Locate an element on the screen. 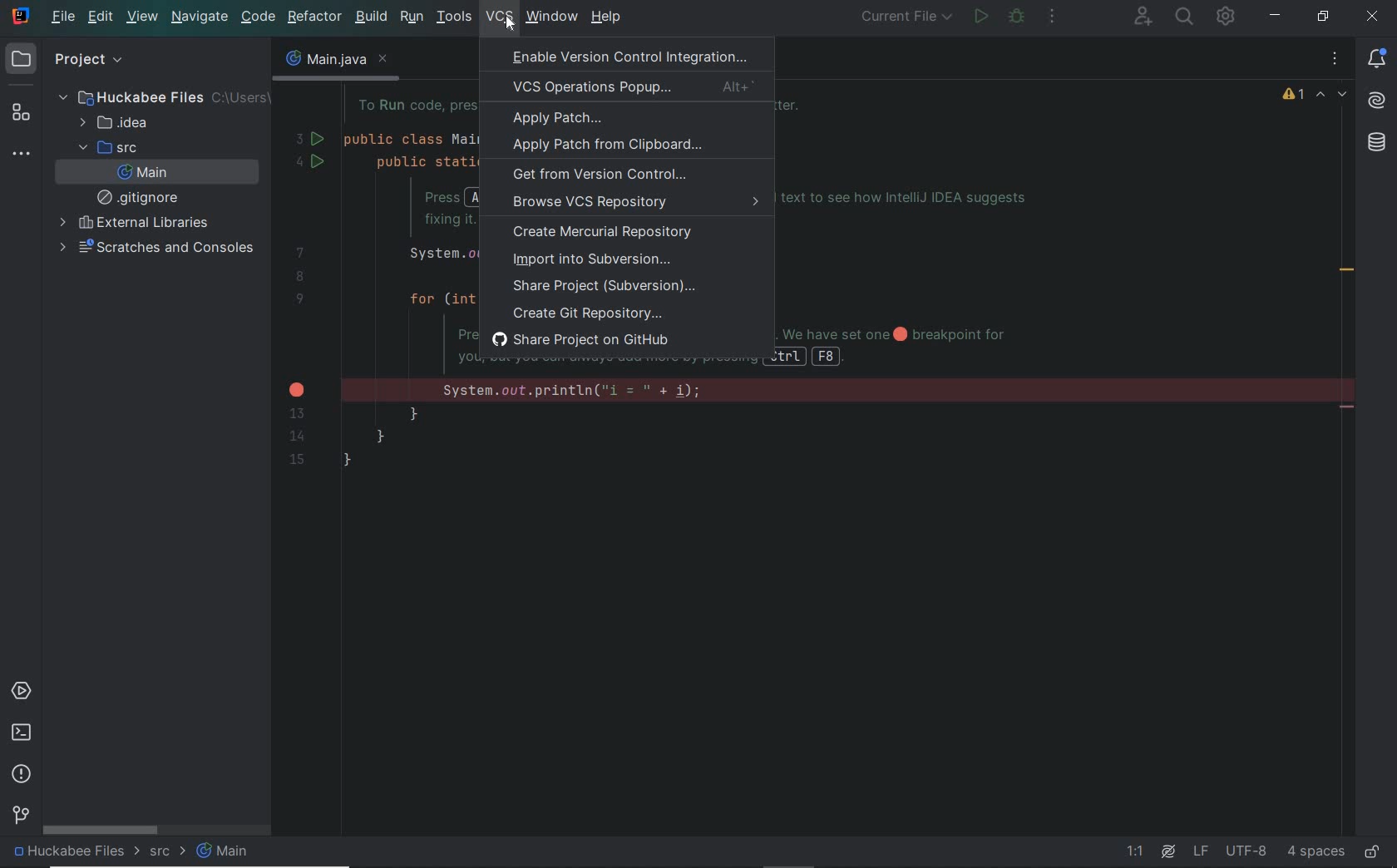  vcs is located at coordinates (491, 19).